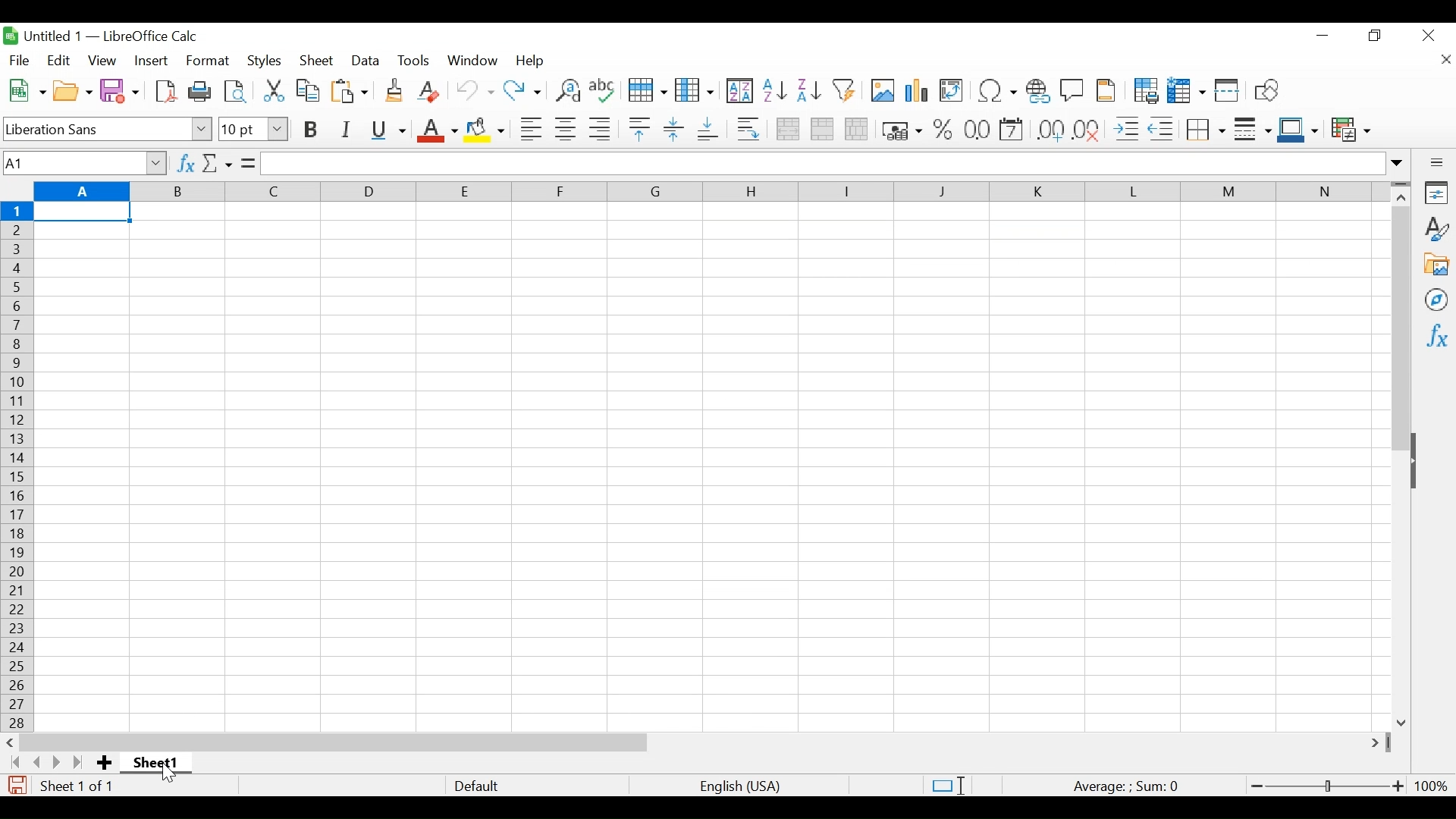 This screenshot has height=819, width=1456. I want to click on Insert, so click(152, 60).